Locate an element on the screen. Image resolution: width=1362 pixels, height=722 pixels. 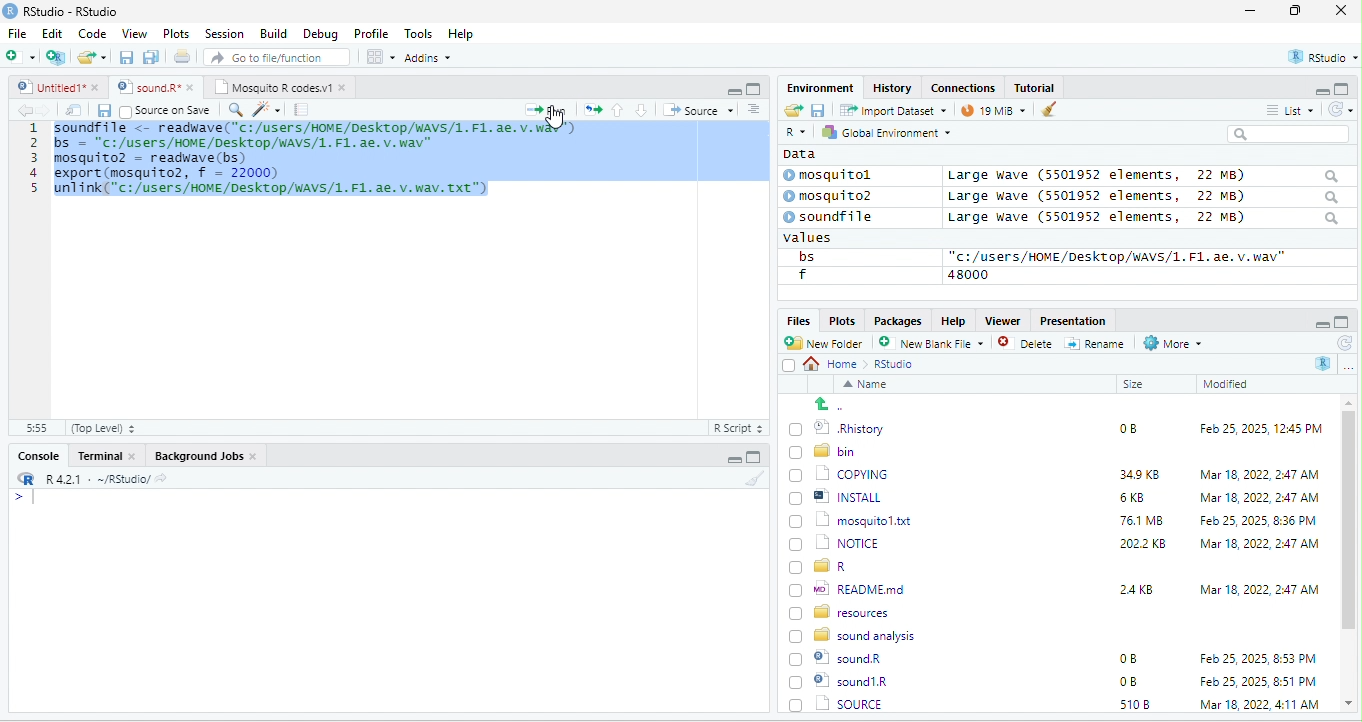
[) = R is located at coordinates (830, 567).